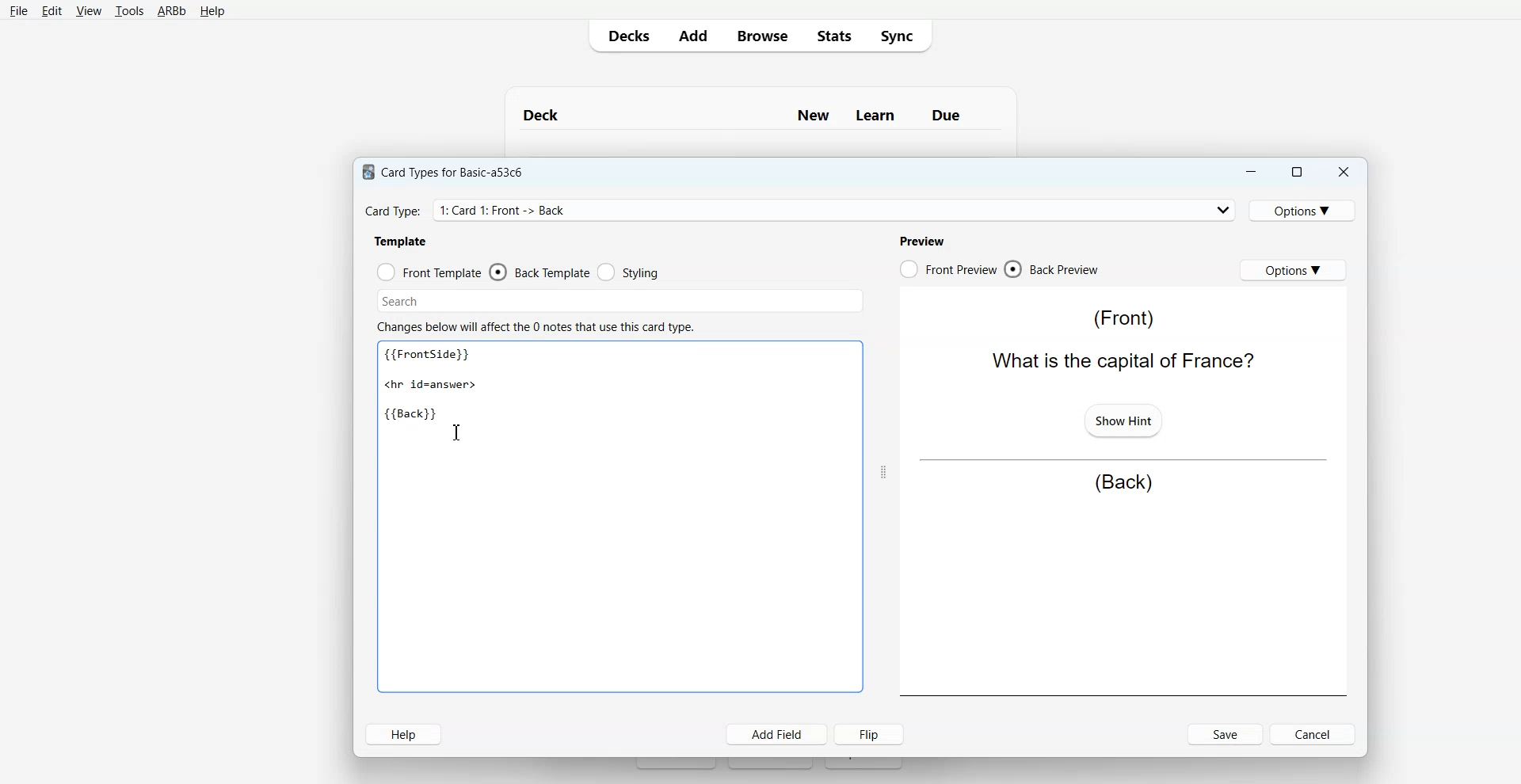  Describe the element at coordinates (429, 272) in the screenshot. I see `Front Template` at that location.